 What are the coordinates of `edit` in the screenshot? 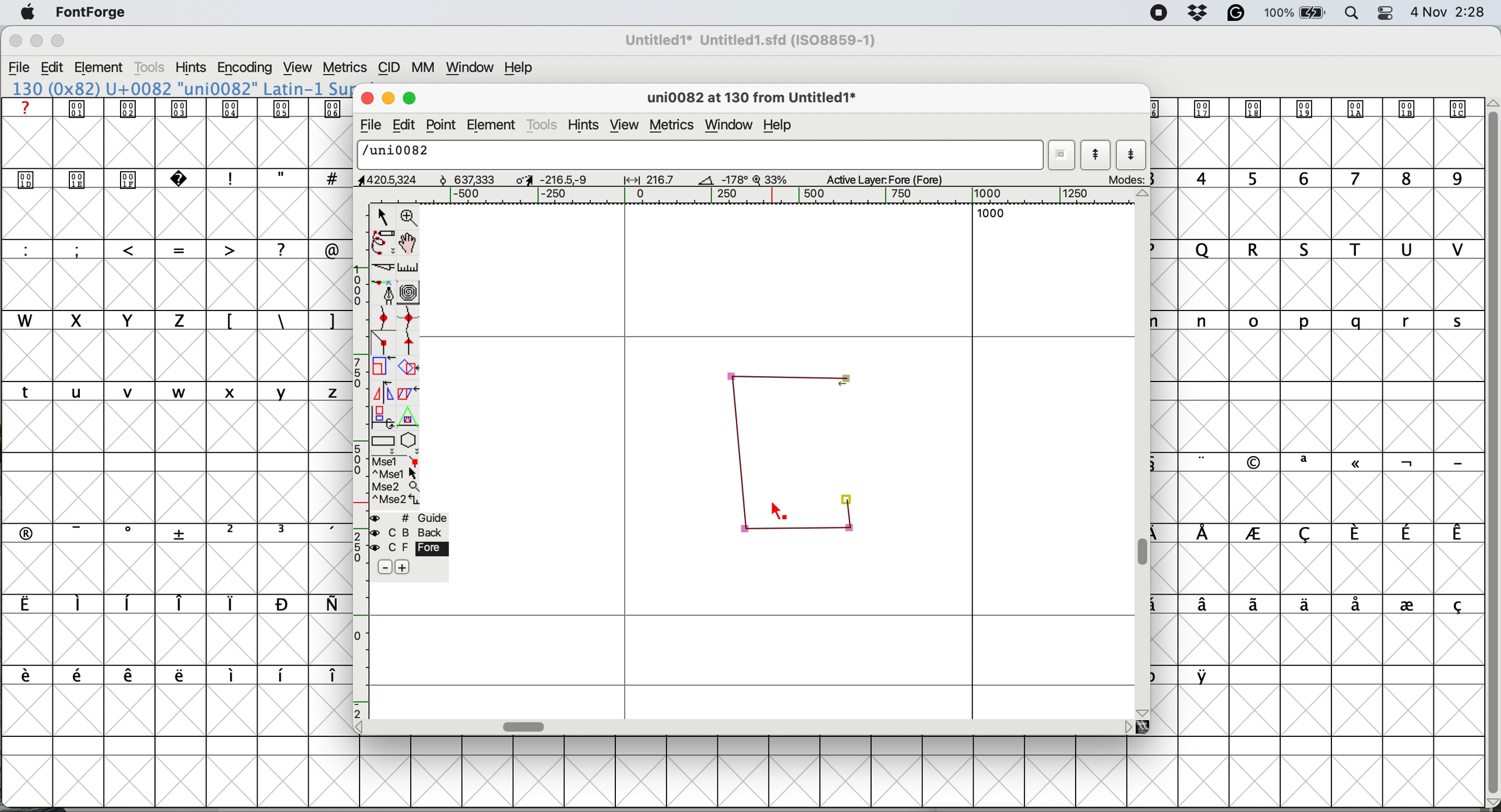 It's located at (52, 68).